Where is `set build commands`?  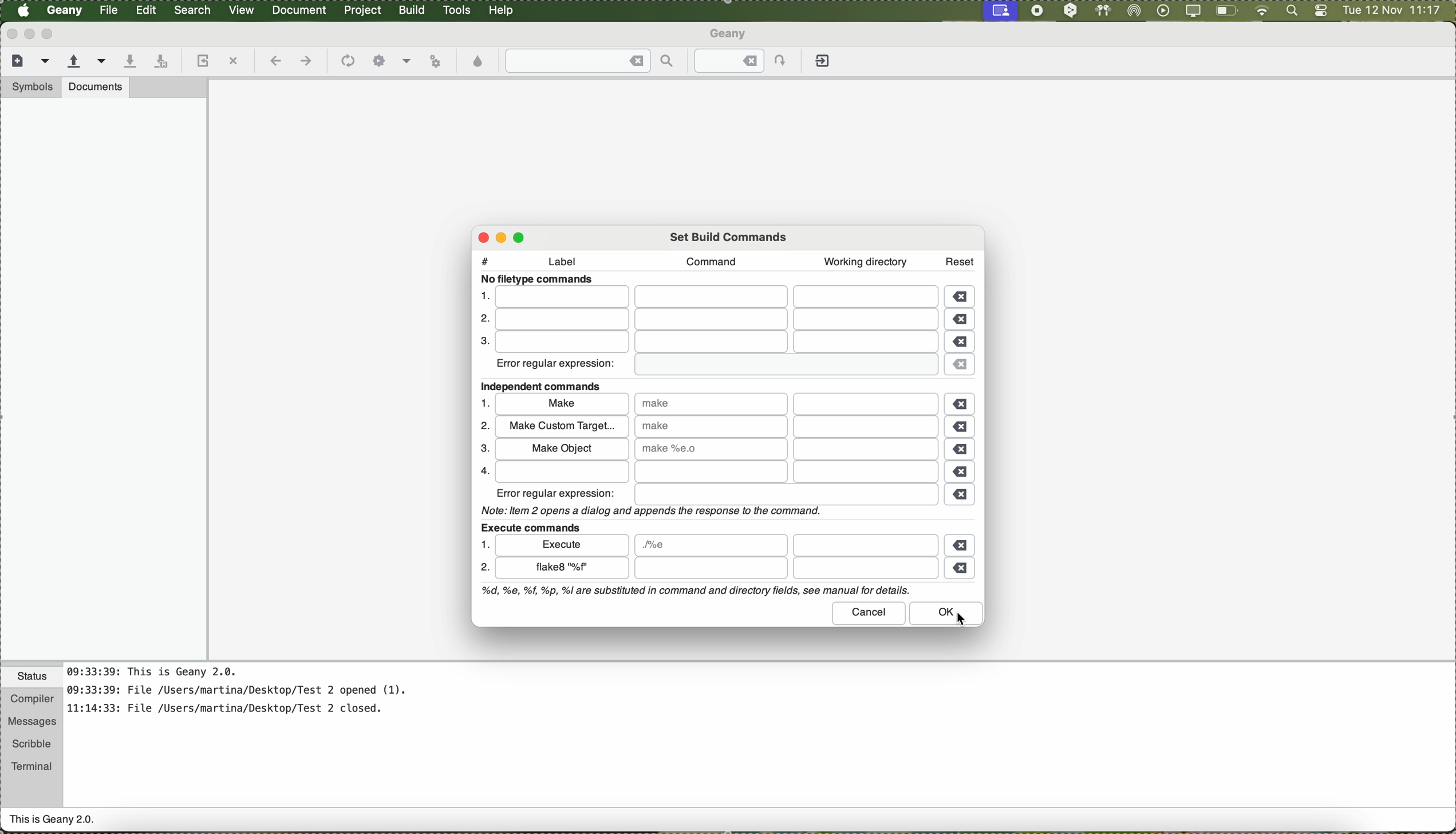 set build commands is located at coordinates (730, 235).